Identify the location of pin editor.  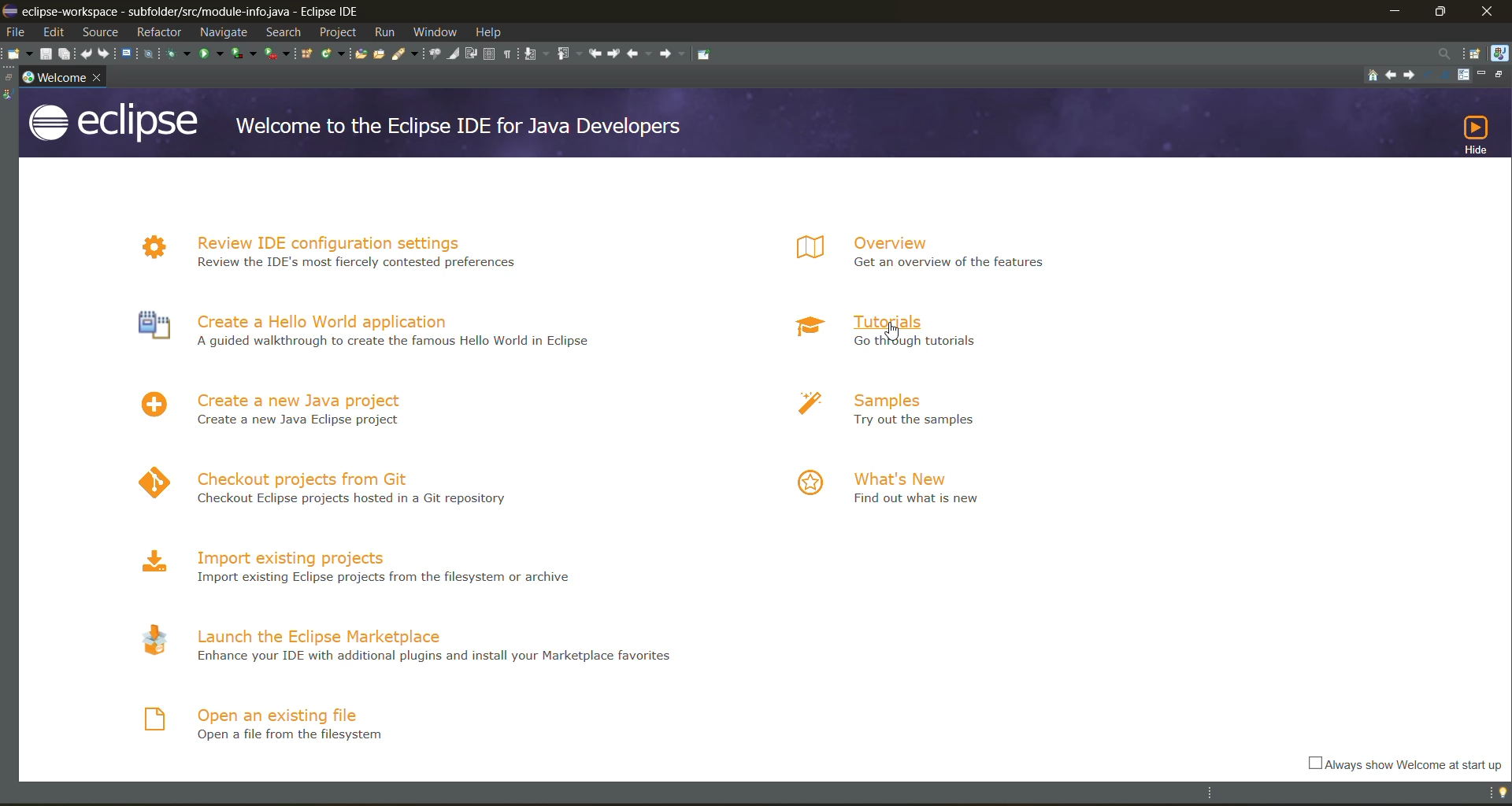
(704, 55).